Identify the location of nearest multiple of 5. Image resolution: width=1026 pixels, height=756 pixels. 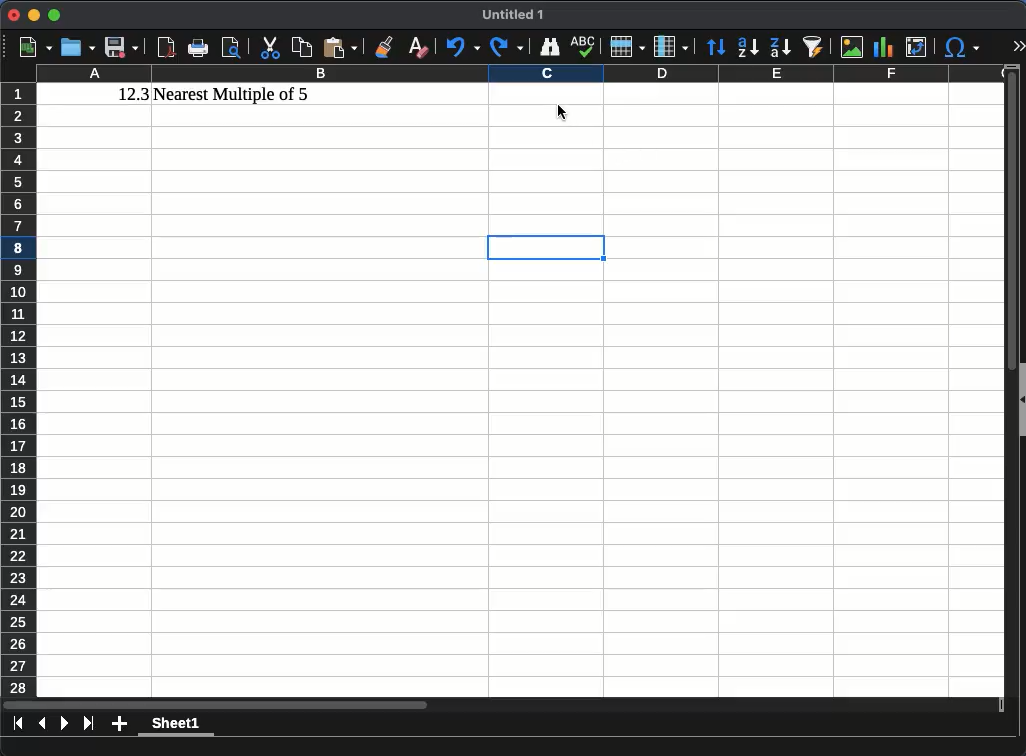
(233, 95).